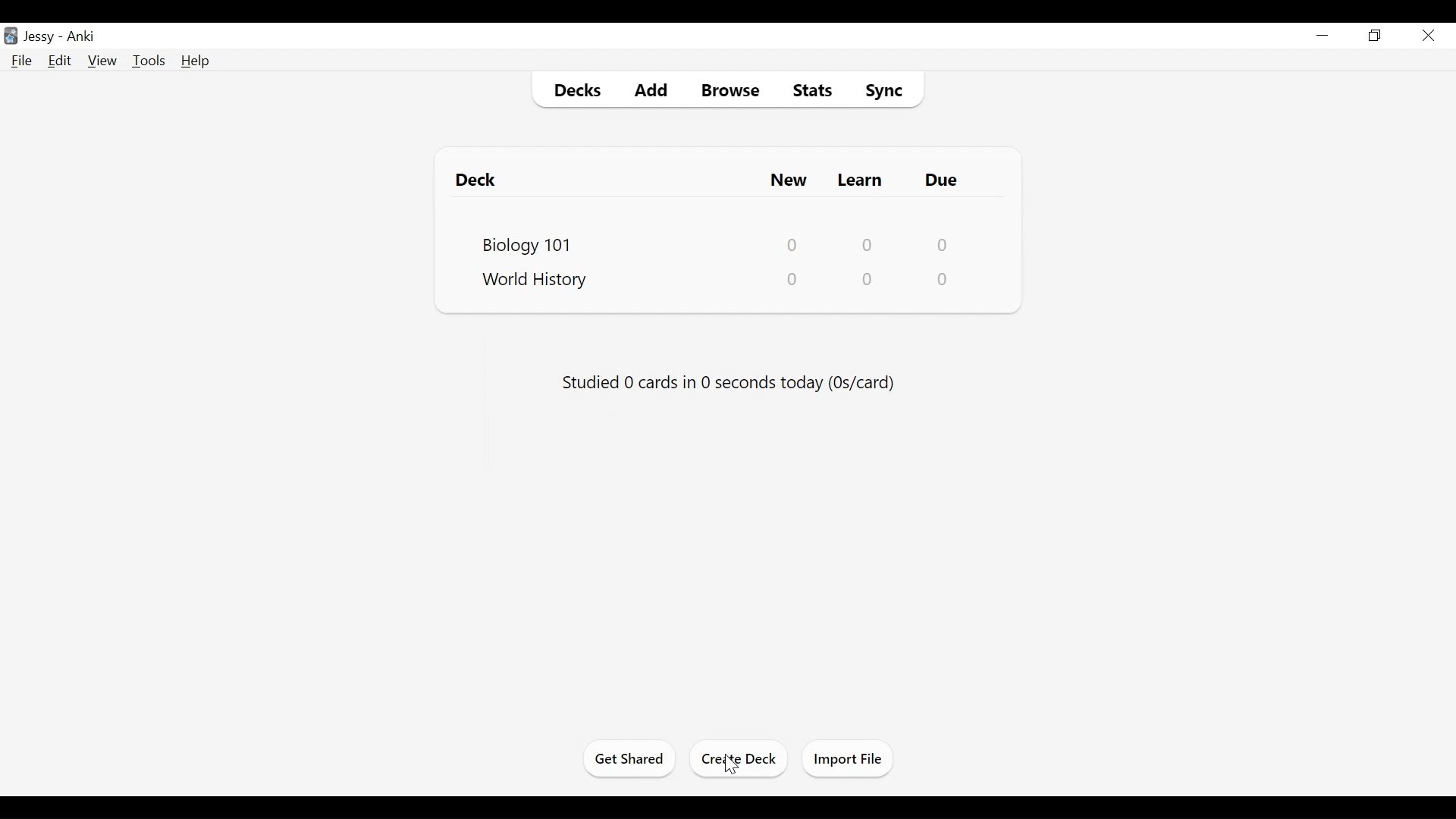  Describe the element at coordinates (790, 179) in the screenshot. I see `New Cards` at that location.